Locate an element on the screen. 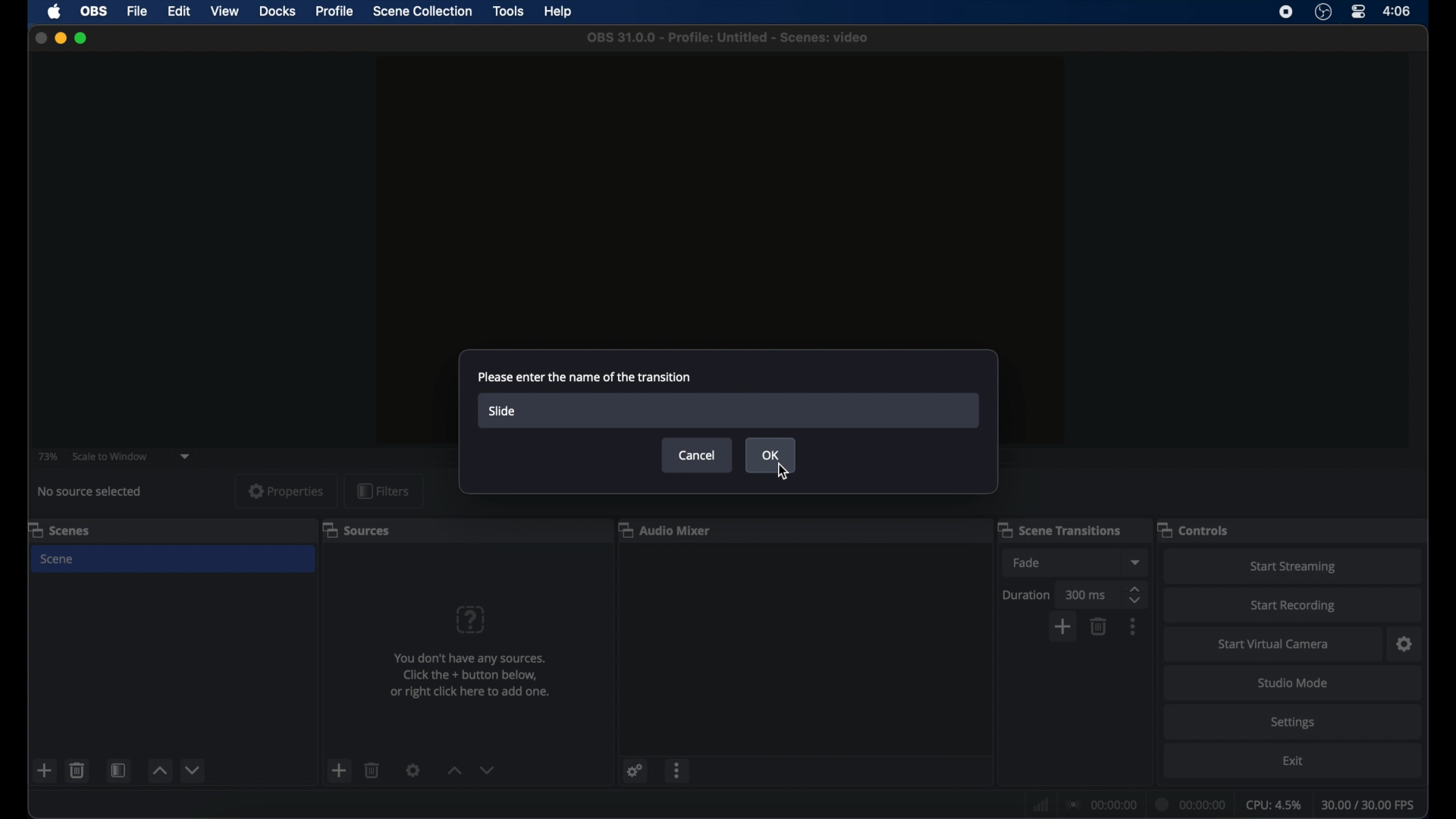 Image resolution: width=1456 pixels, height=819 pixels. start recording is located at coordinates (1293, 606).